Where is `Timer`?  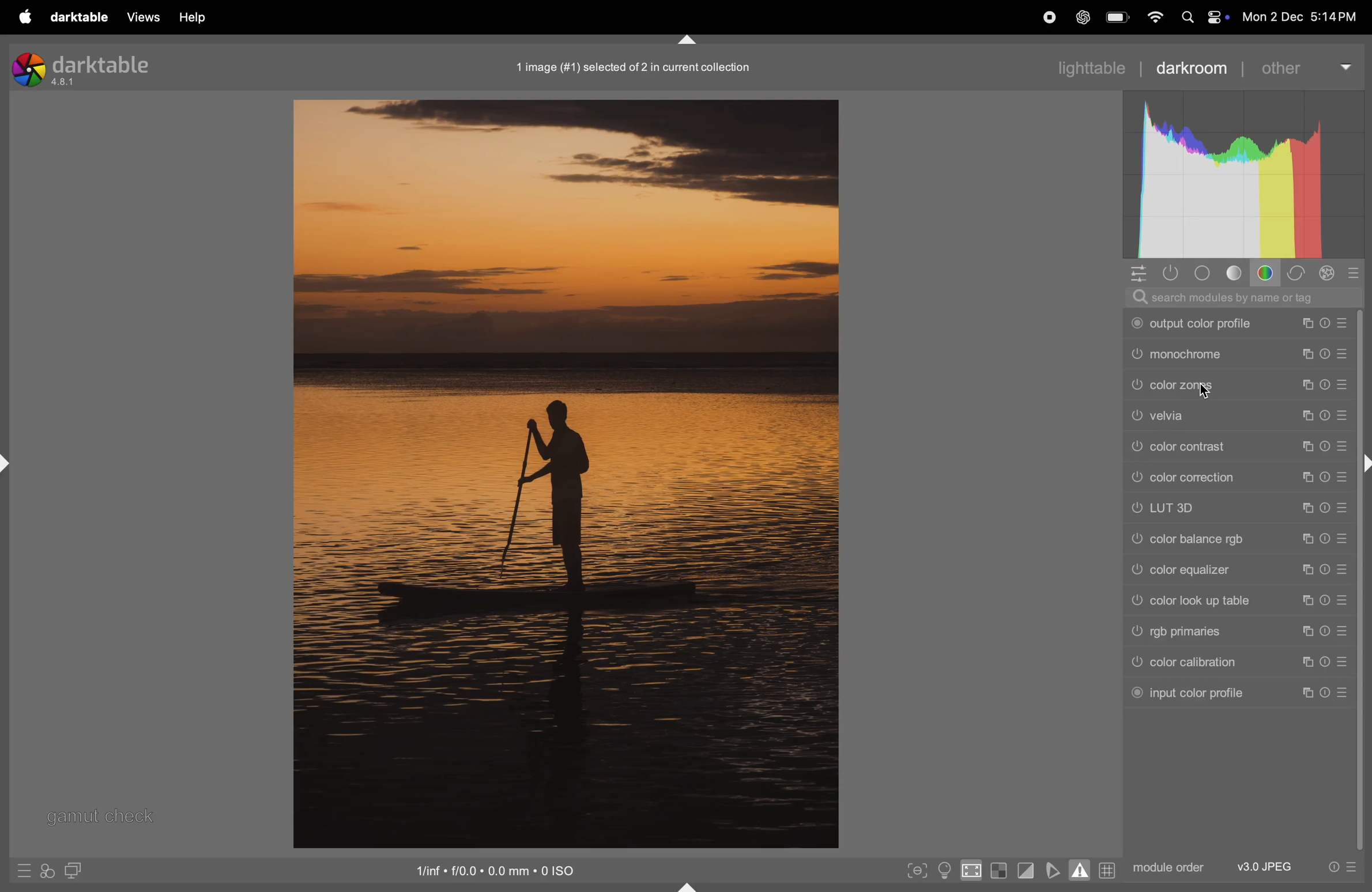
Timer is located at coordinates (1324, 385).